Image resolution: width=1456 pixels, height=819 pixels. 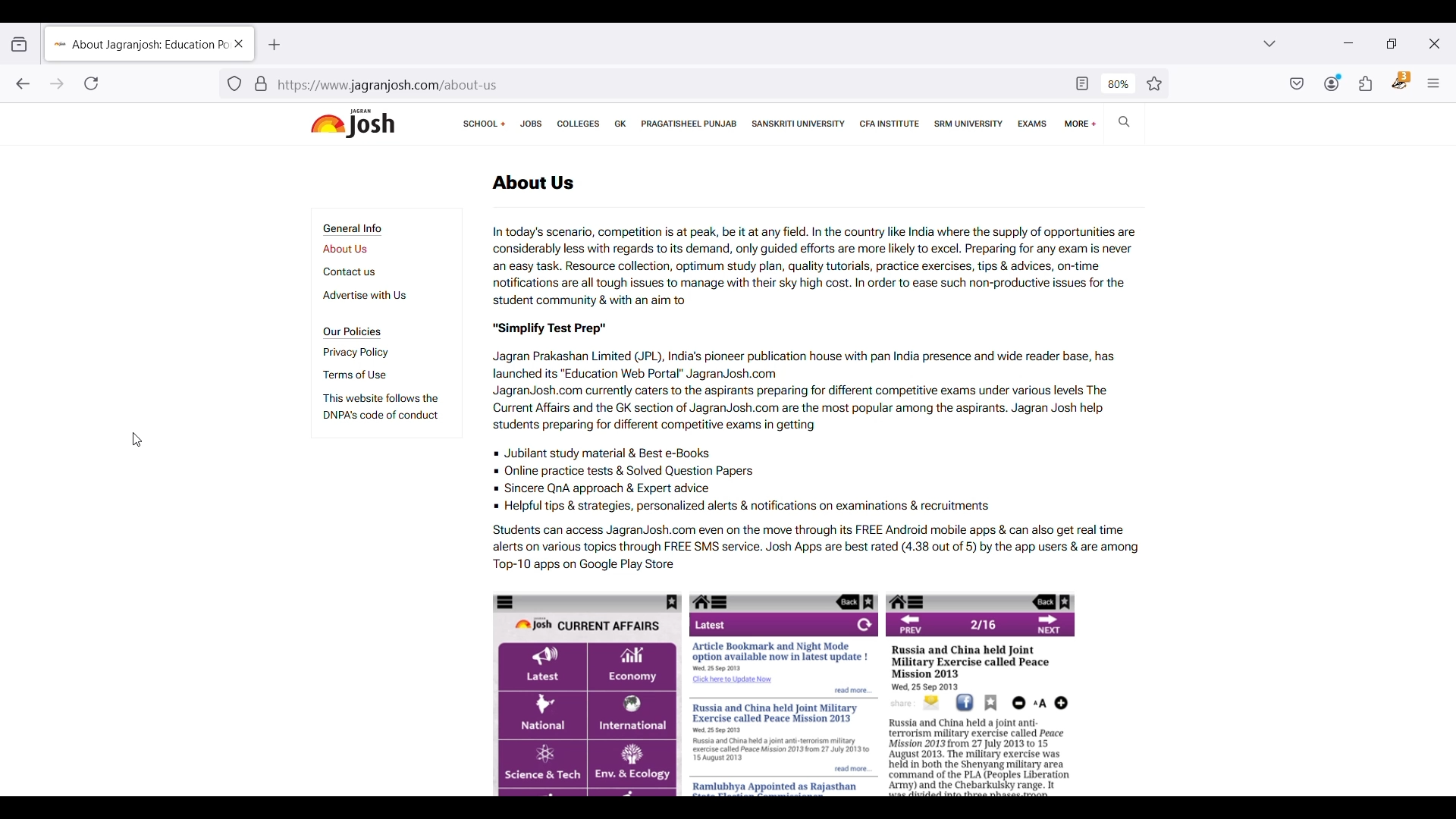 What do you see at coordinates (1153, 84) in the screenshot?
I see `Bookmark this page` at bounding box center [1153, 84].